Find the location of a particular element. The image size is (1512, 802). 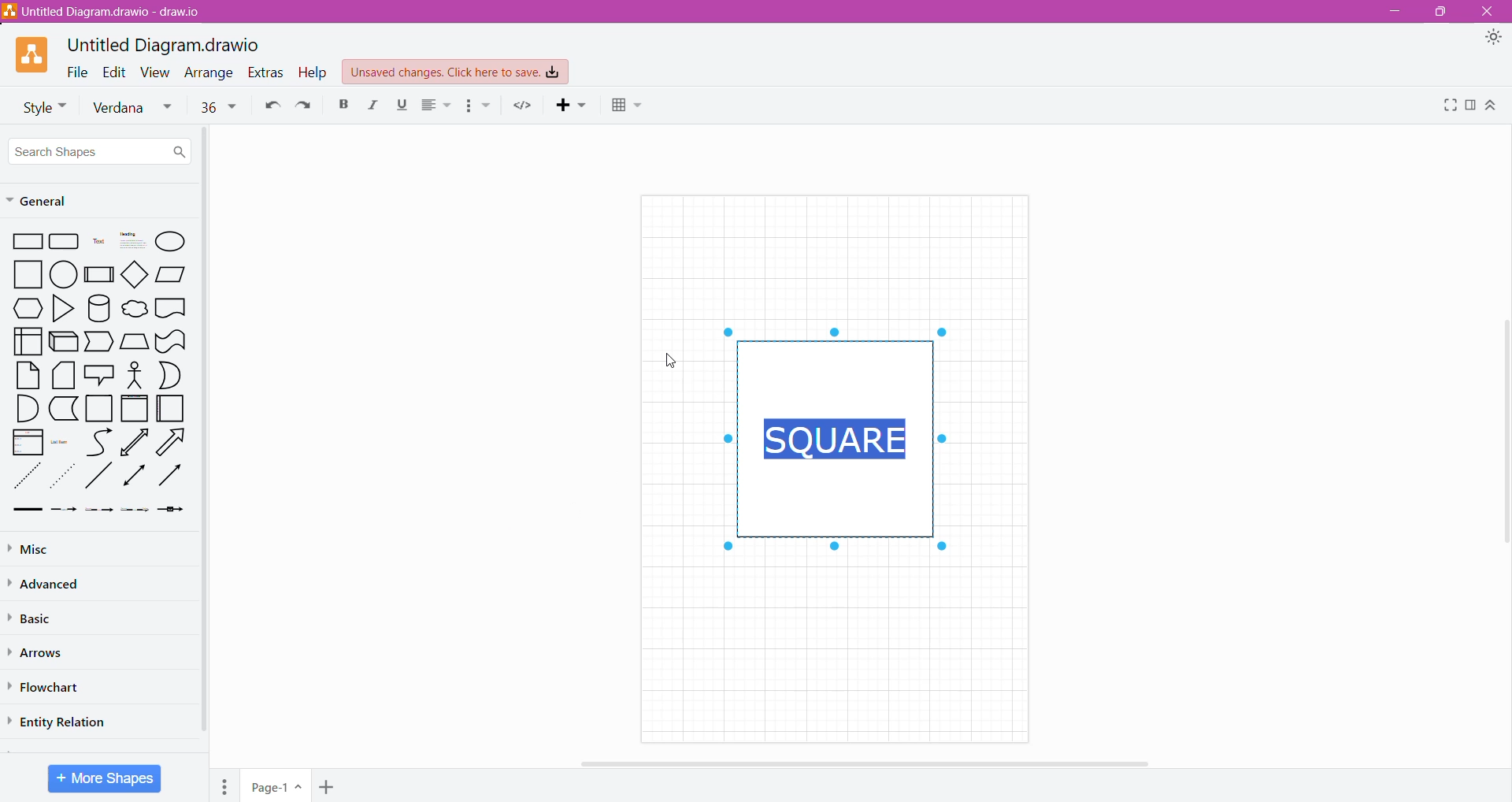

Folded Paper  is located at coordinates (170, 409).